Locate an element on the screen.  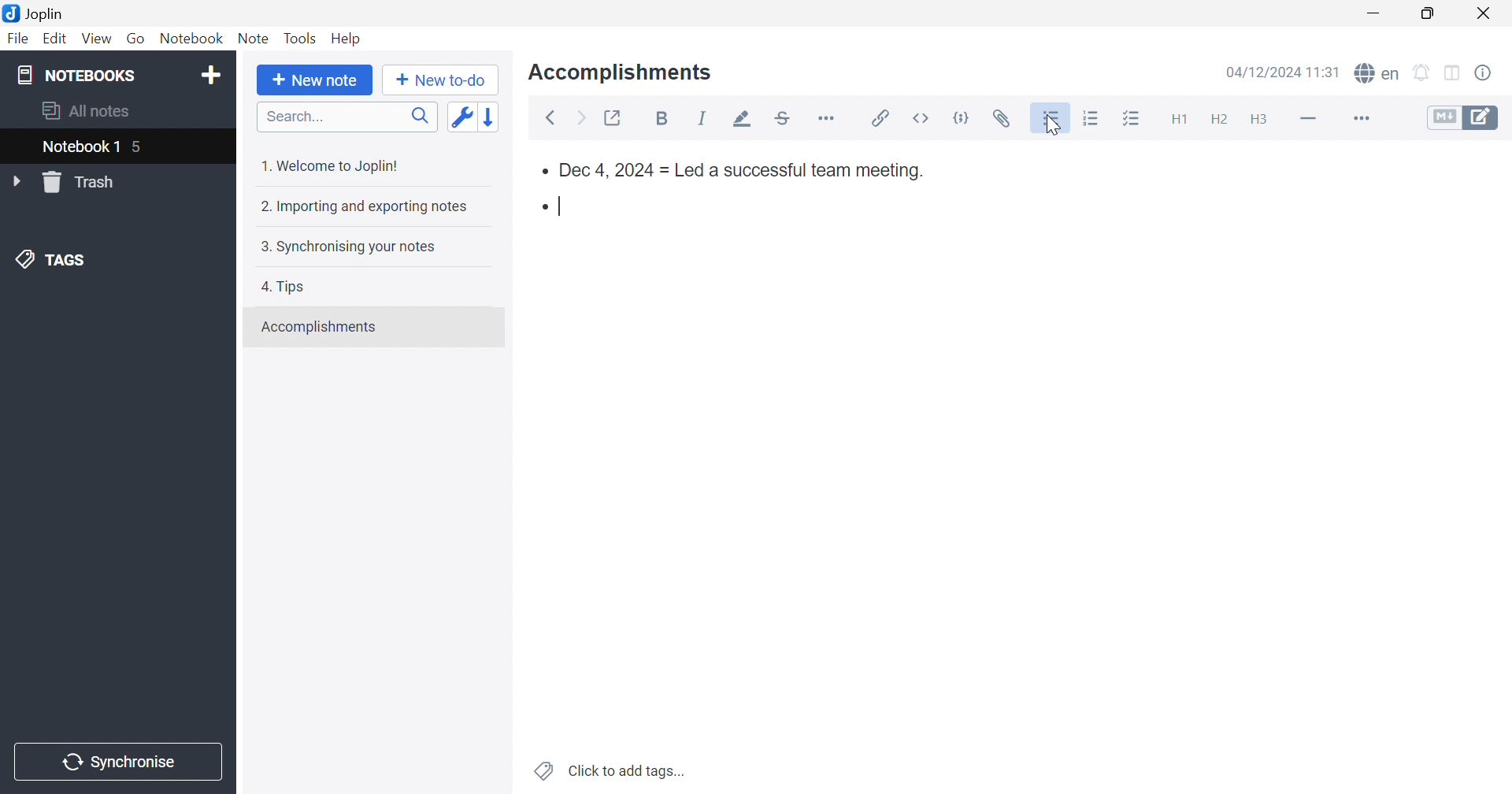
View is located at coordinates (95, 39).